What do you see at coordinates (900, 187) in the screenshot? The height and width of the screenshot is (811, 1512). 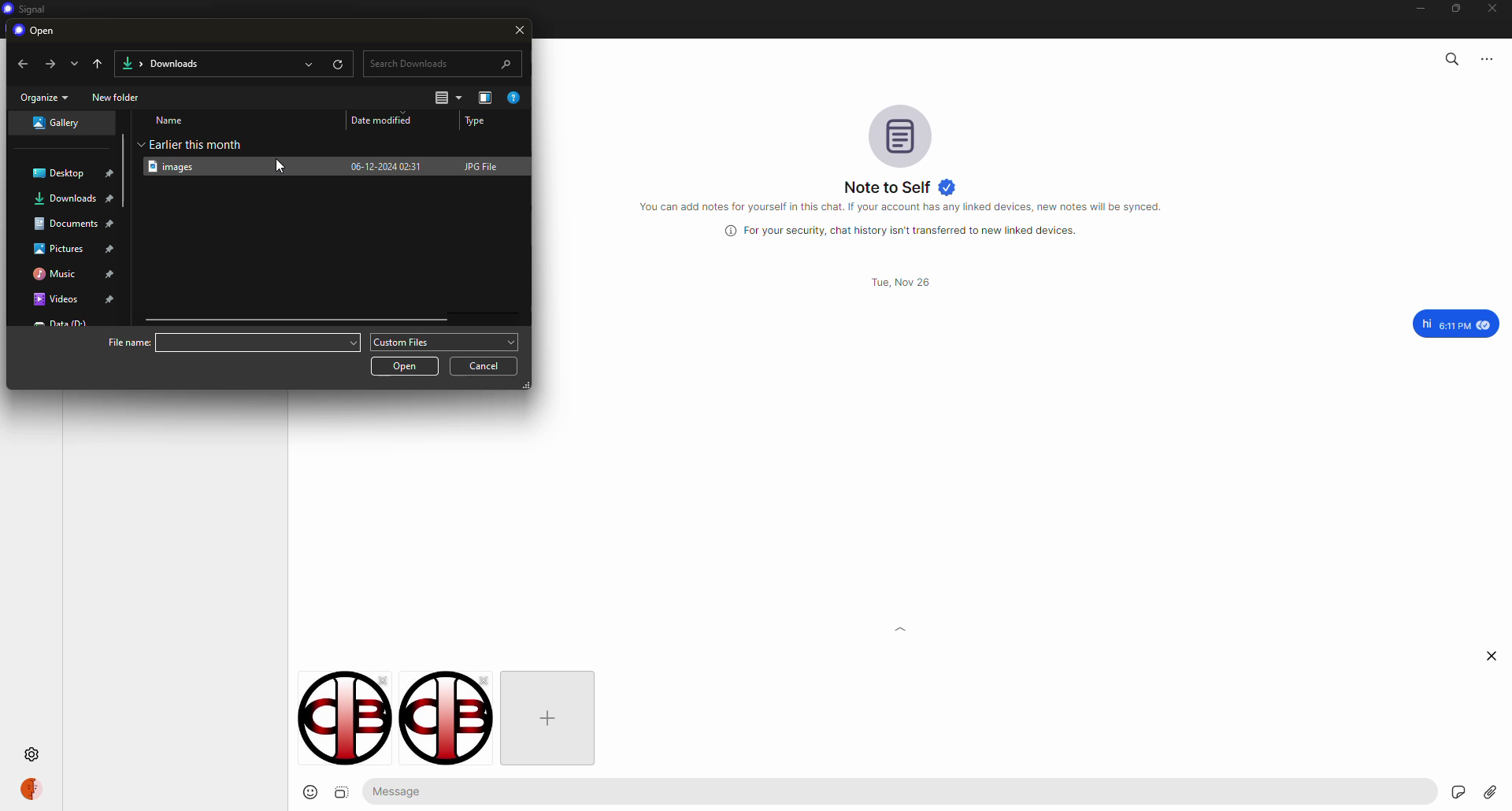 I see `note to self` at bounding box center [900, 187].